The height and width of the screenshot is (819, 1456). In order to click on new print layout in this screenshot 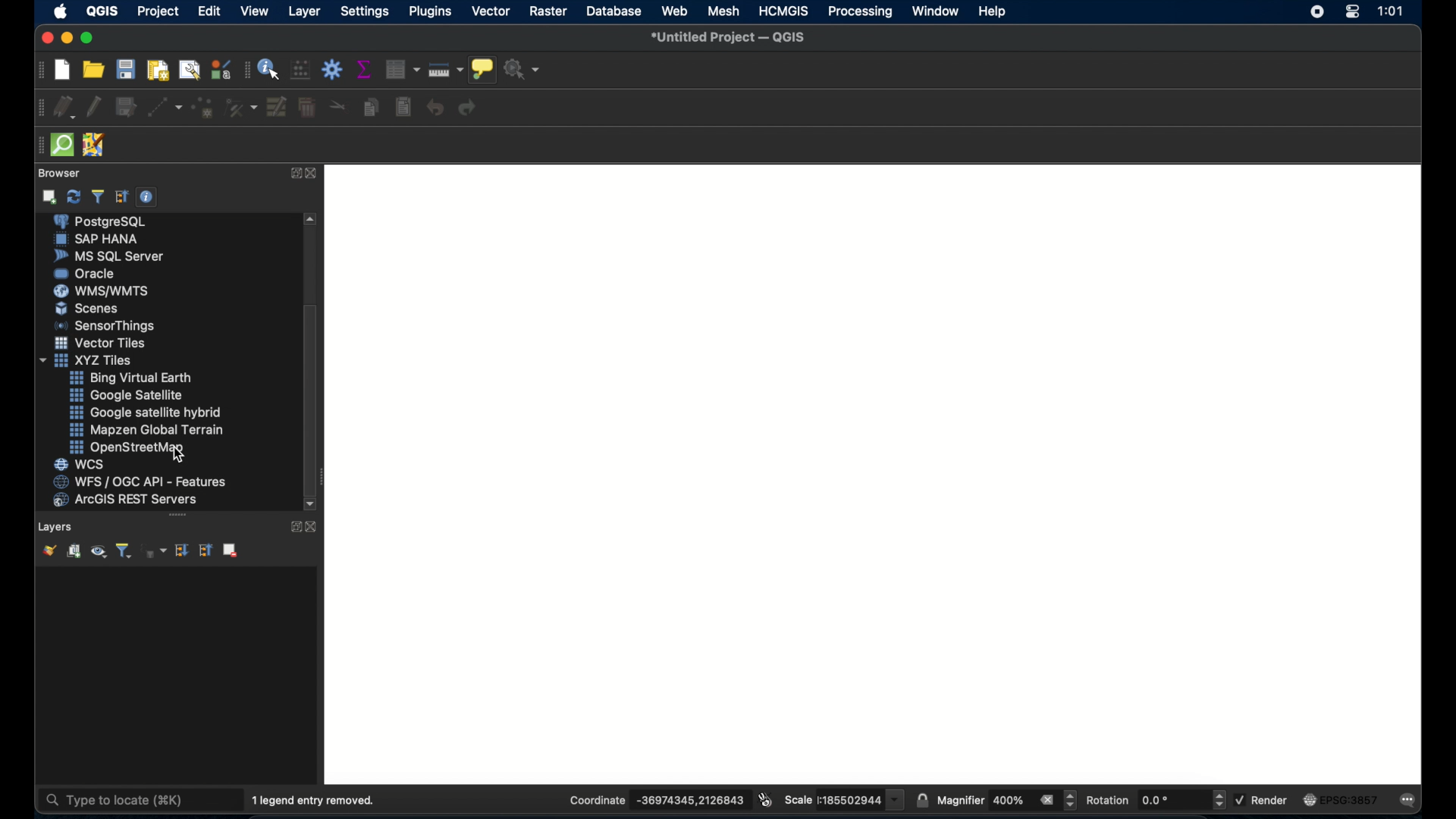, I will do `click(158, 71)`.